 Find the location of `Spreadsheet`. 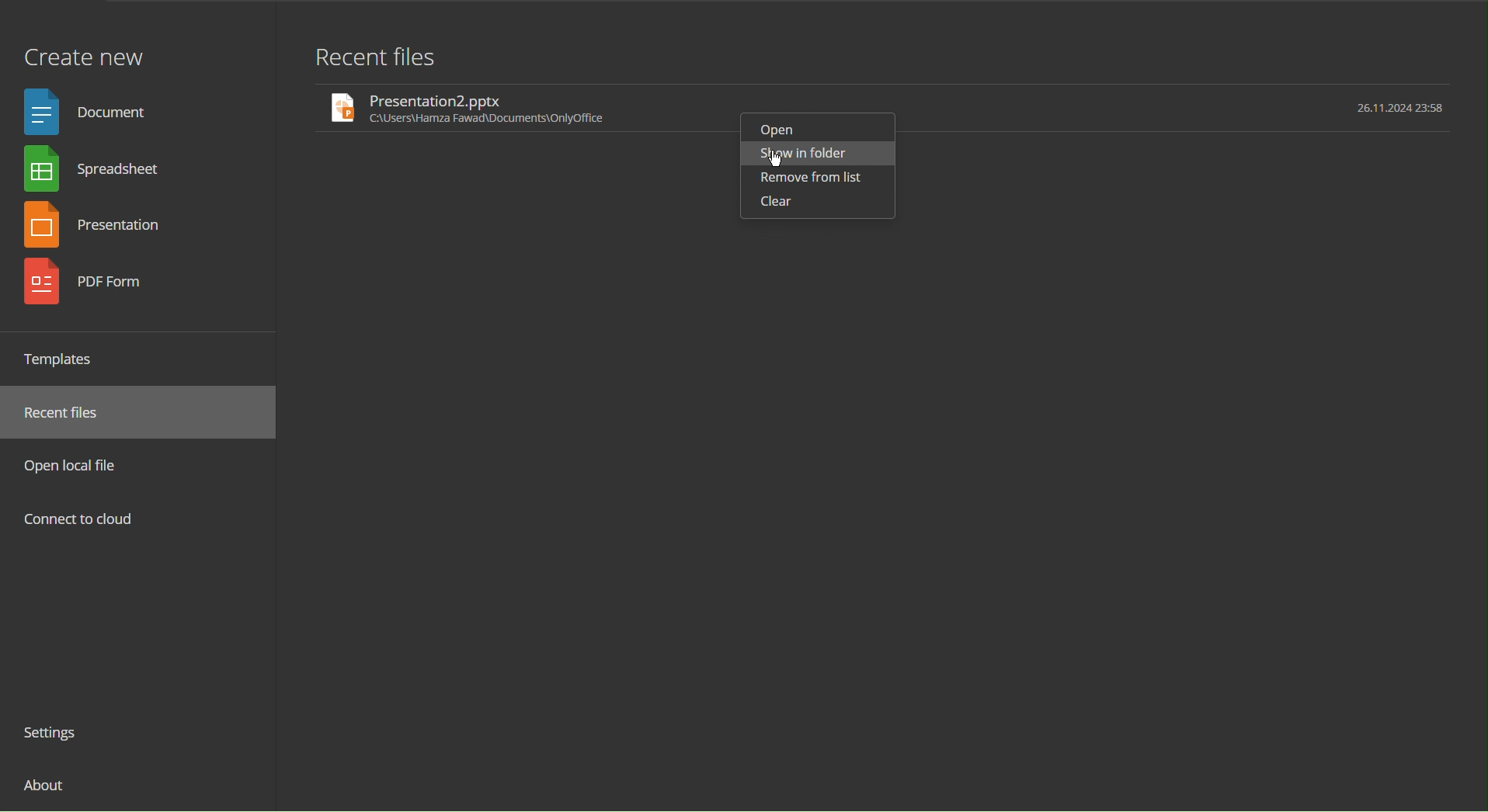

Spreadsheet is located at coordinates (98, 172).